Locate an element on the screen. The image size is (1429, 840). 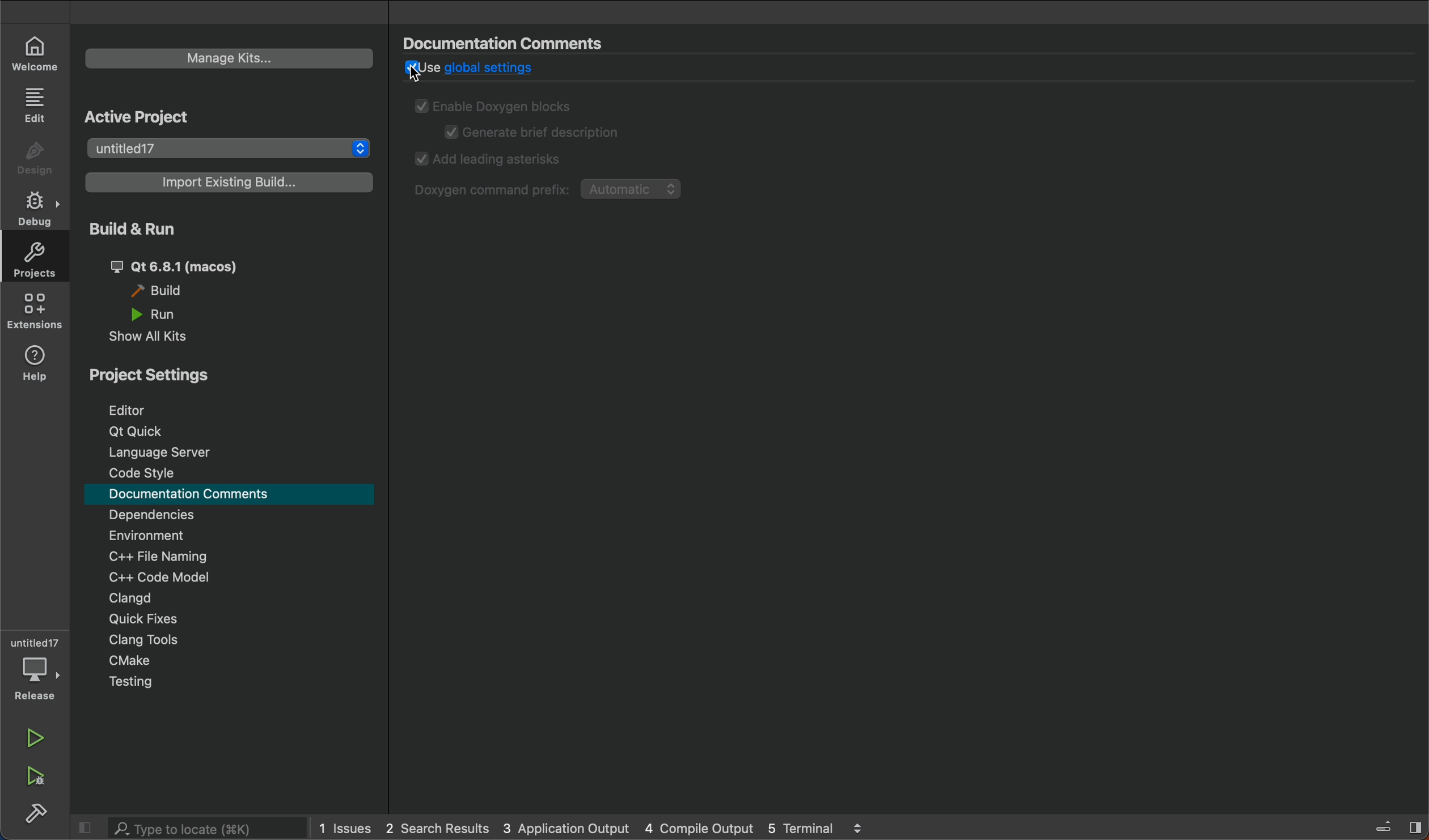
c model is located at coordinates (159, 577).